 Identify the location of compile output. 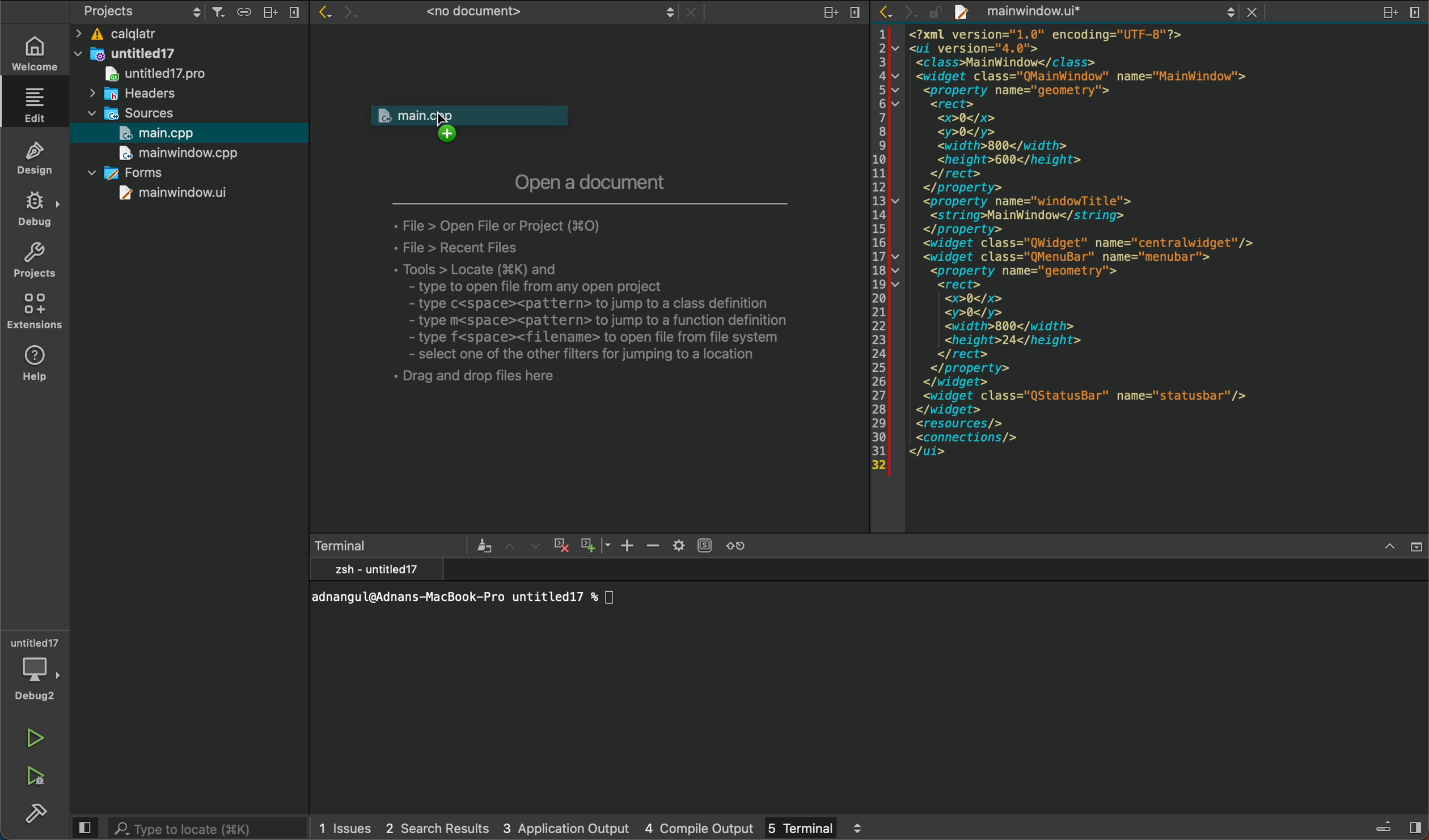
(701, 826).